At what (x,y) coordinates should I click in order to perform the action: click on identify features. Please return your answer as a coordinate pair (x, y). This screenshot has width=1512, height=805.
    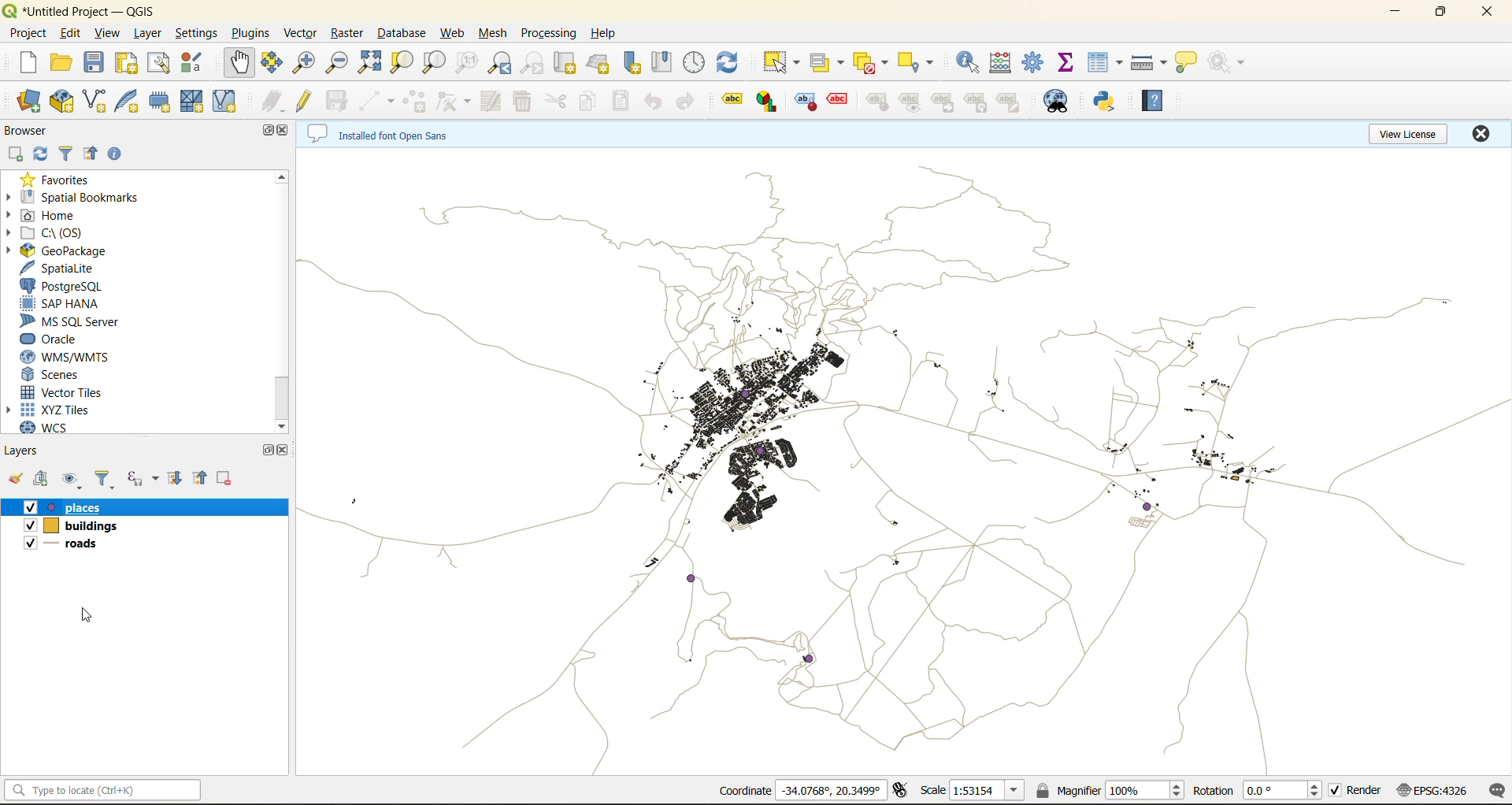
    Looking at the image, I should click on (973, 62).